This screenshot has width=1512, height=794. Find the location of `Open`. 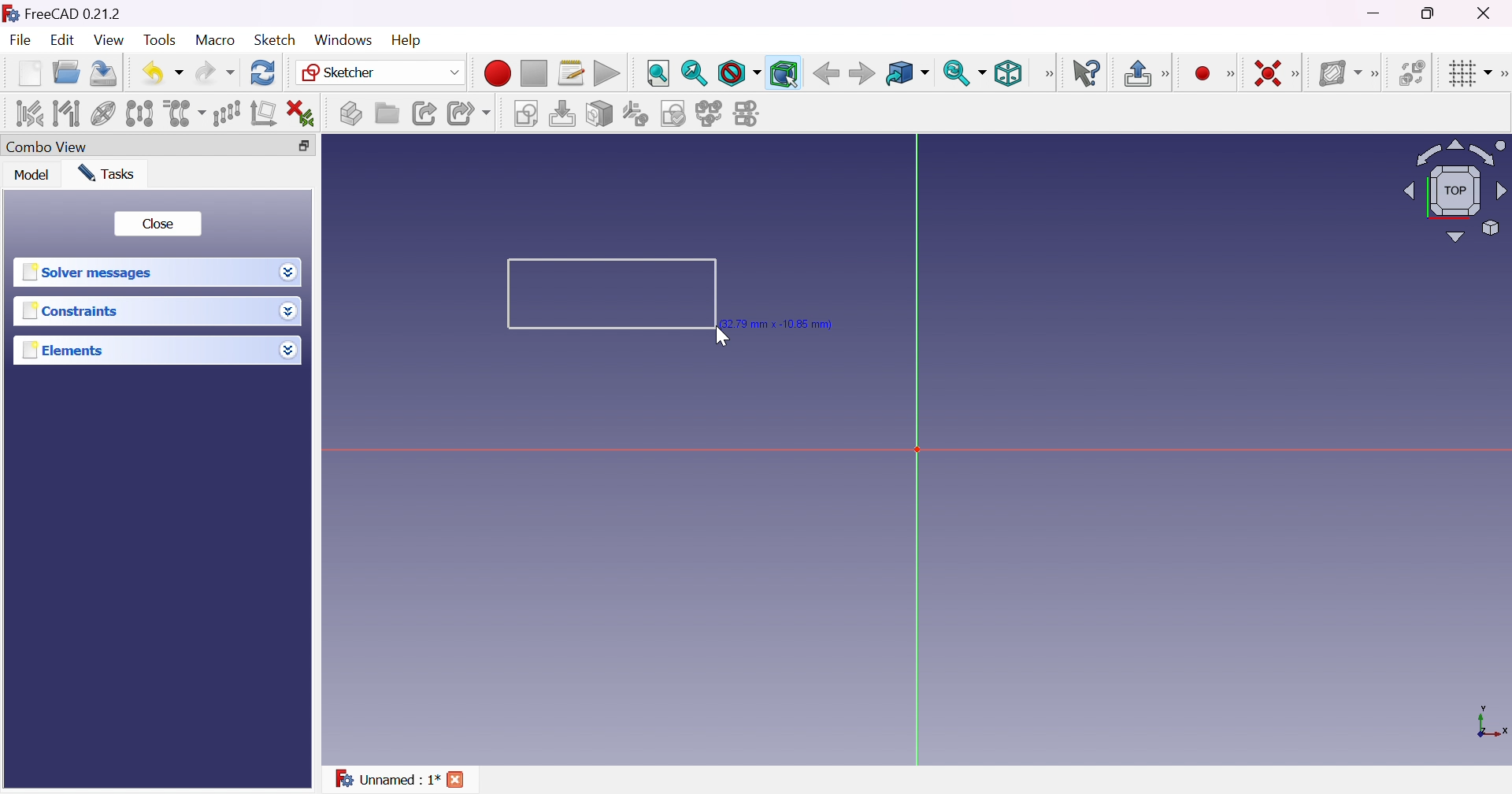

Open is located at coordinates (67, 72).